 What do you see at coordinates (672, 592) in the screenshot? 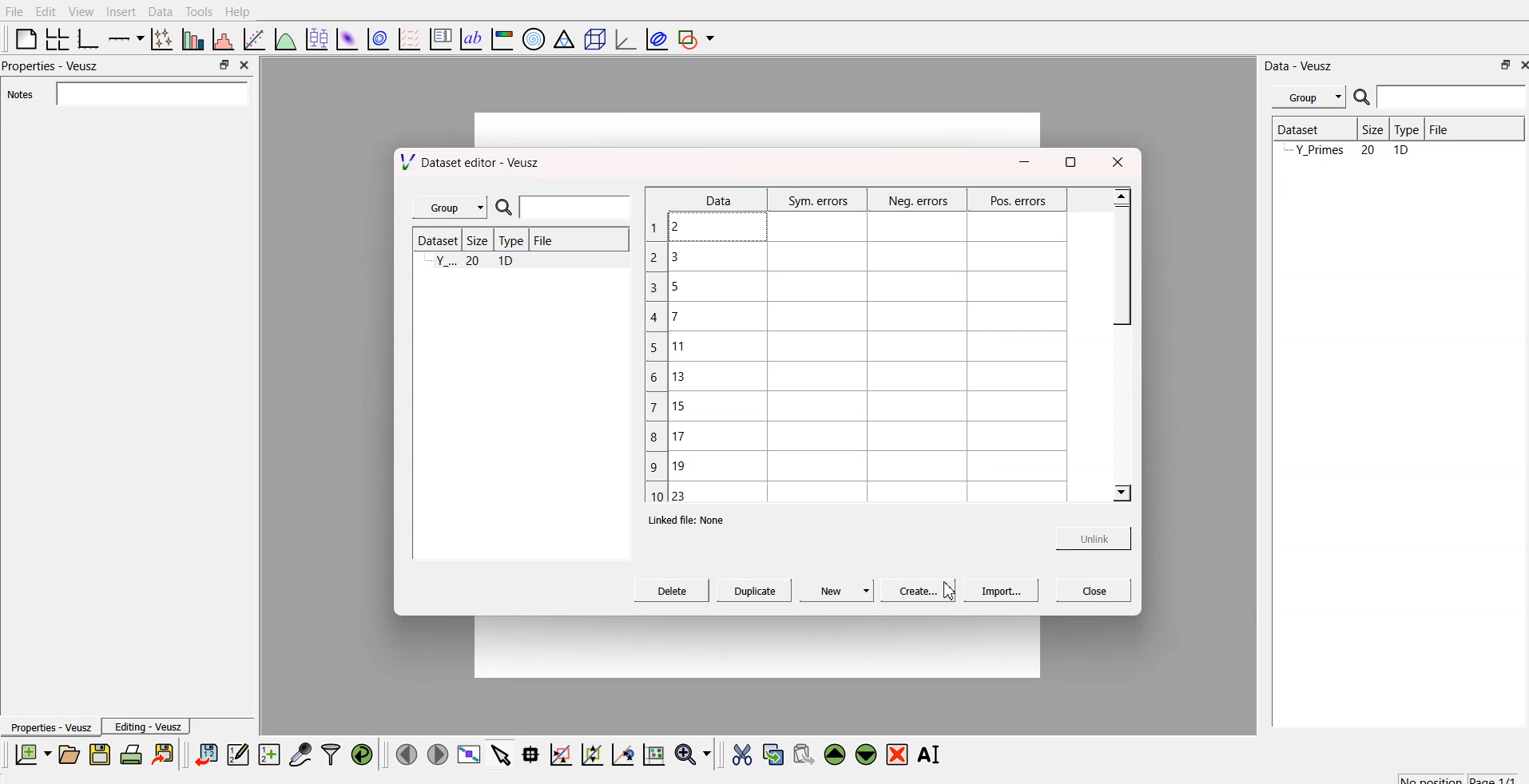
I see `Delete` at bounding box center [672, 592].